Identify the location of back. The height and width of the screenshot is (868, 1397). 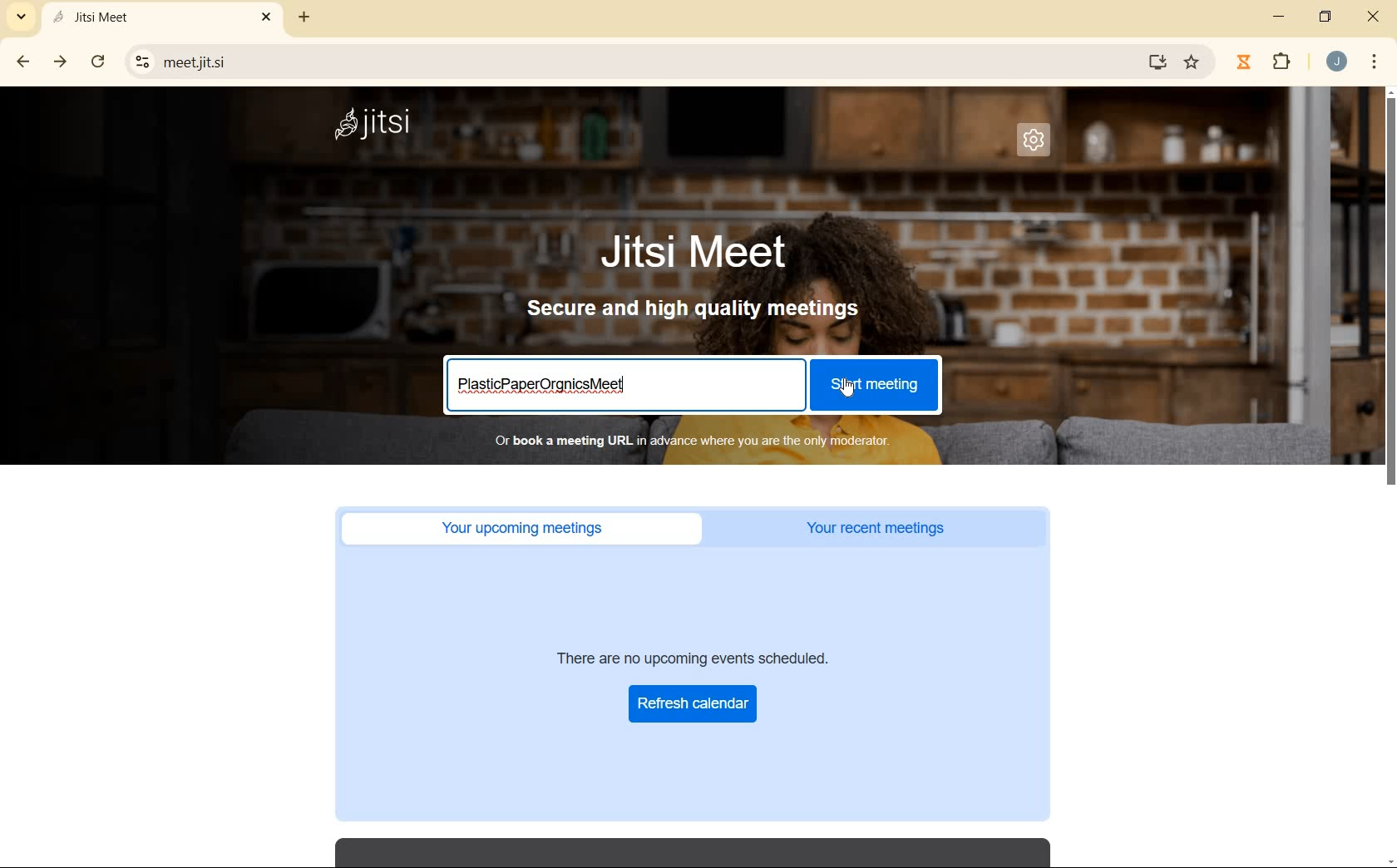
(24, 62).